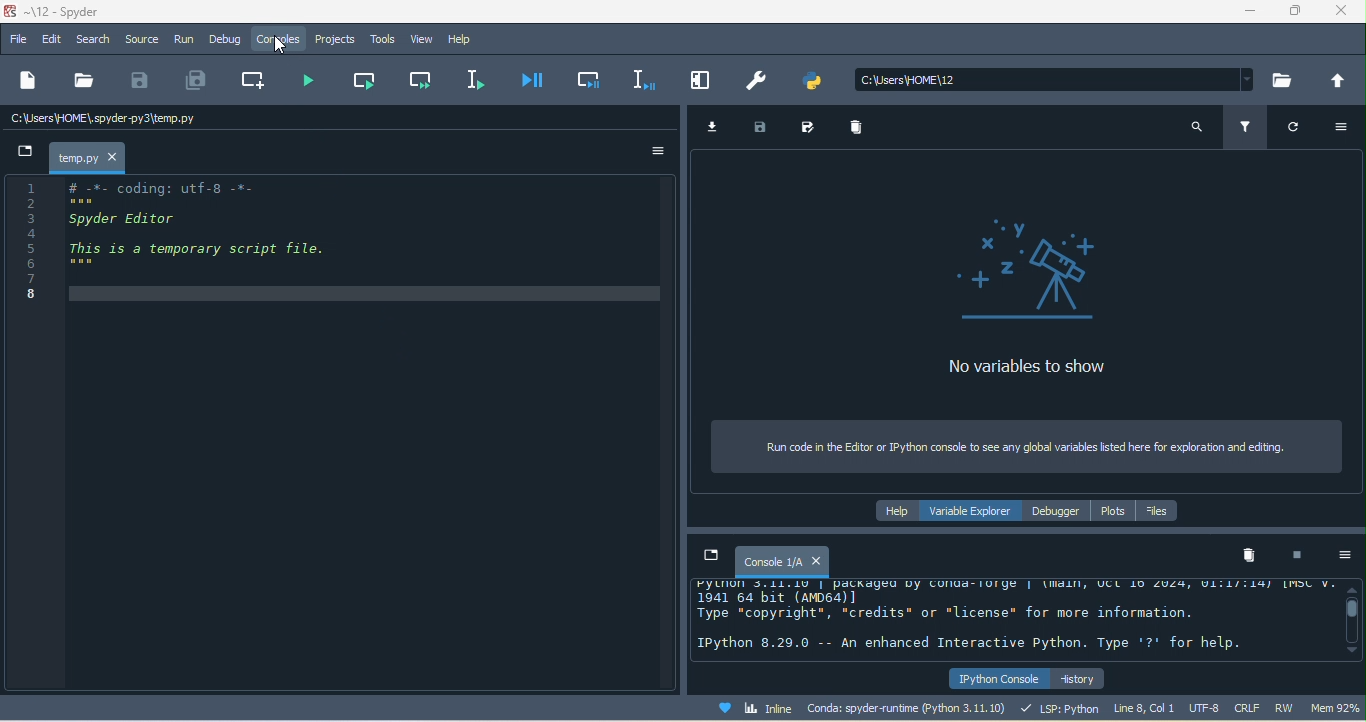 This screenshot has width=1366, height=722. What do you see at coordinates (93, 38) in the screenshot?
I see `search` at bounding box center [93, 38].